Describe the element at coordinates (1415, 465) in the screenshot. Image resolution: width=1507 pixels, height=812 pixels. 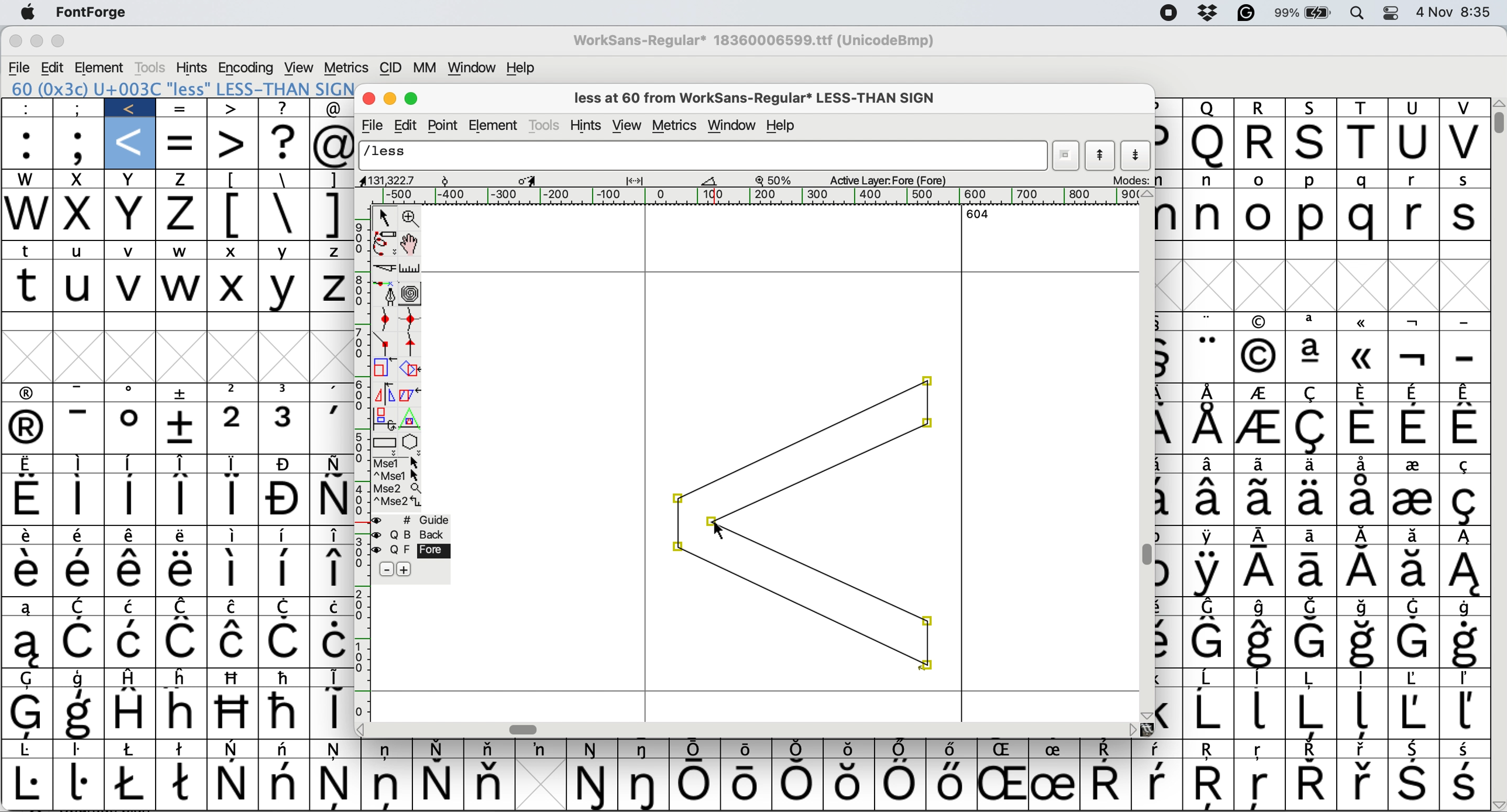
I see `Symbol` at that location.